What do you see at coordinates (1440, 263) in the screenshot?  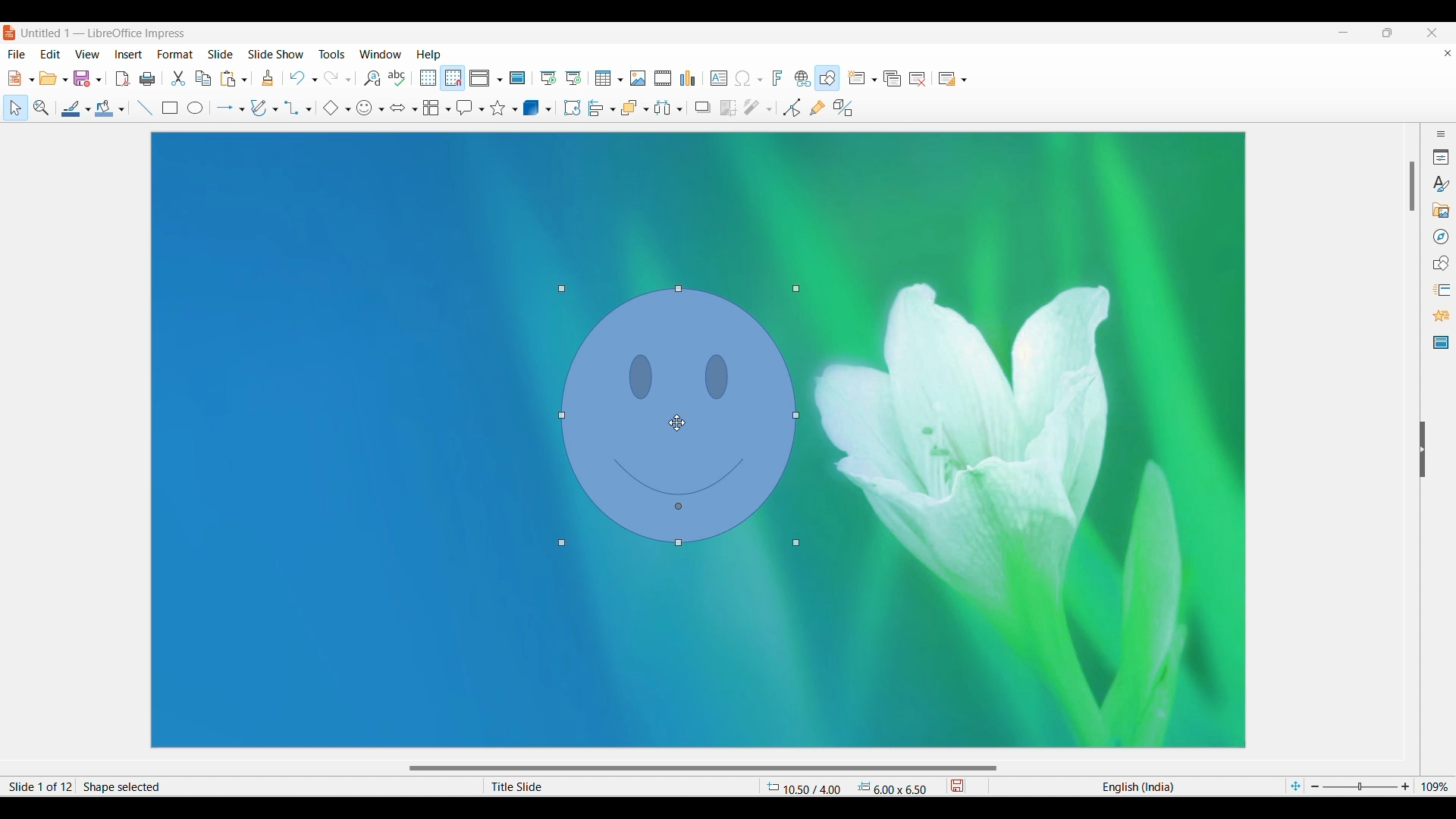 I see `Shapes` at bounding box center [1440, 263].